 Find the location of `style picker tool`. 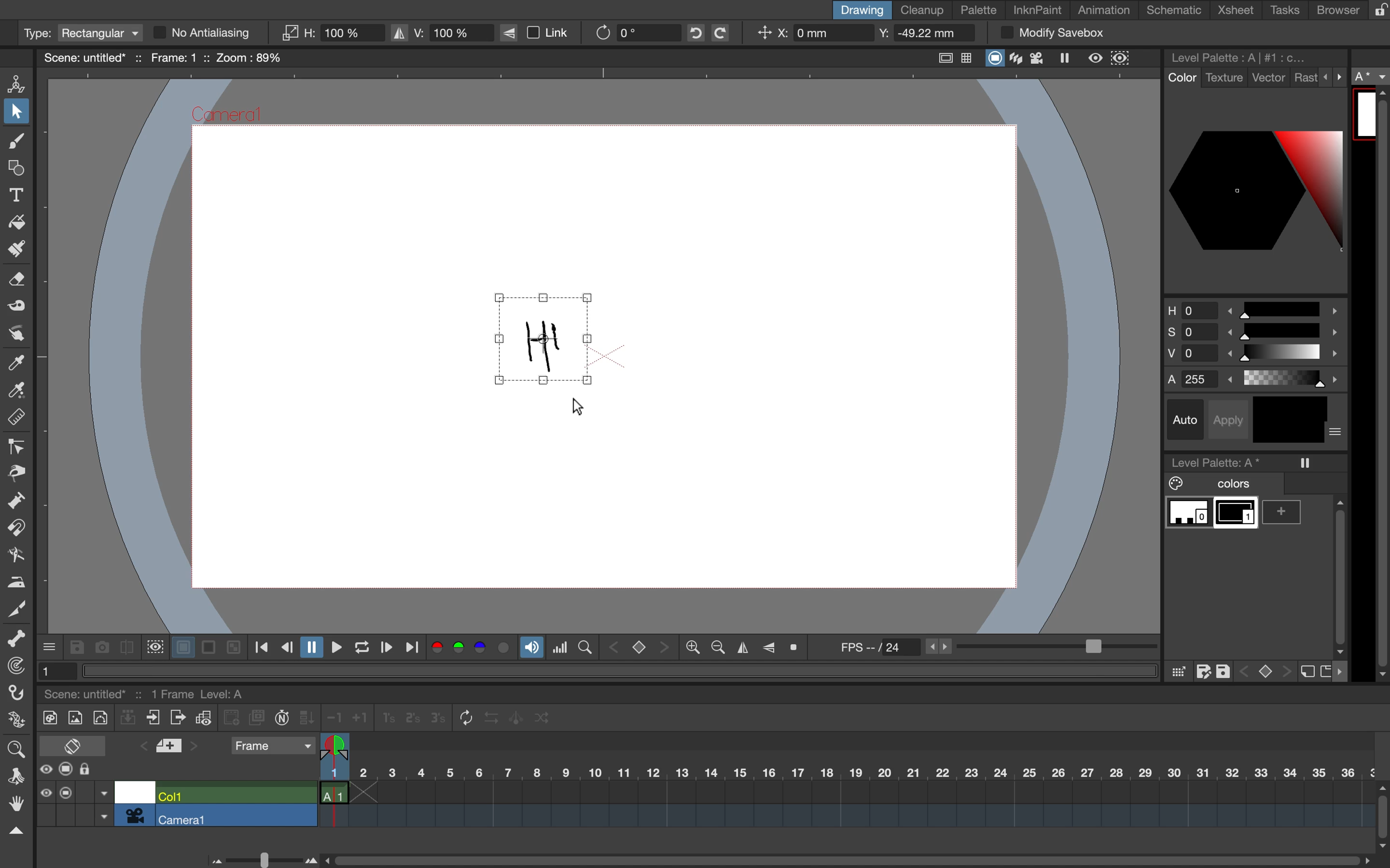

style picker tool is located at coordinates (17, 363).